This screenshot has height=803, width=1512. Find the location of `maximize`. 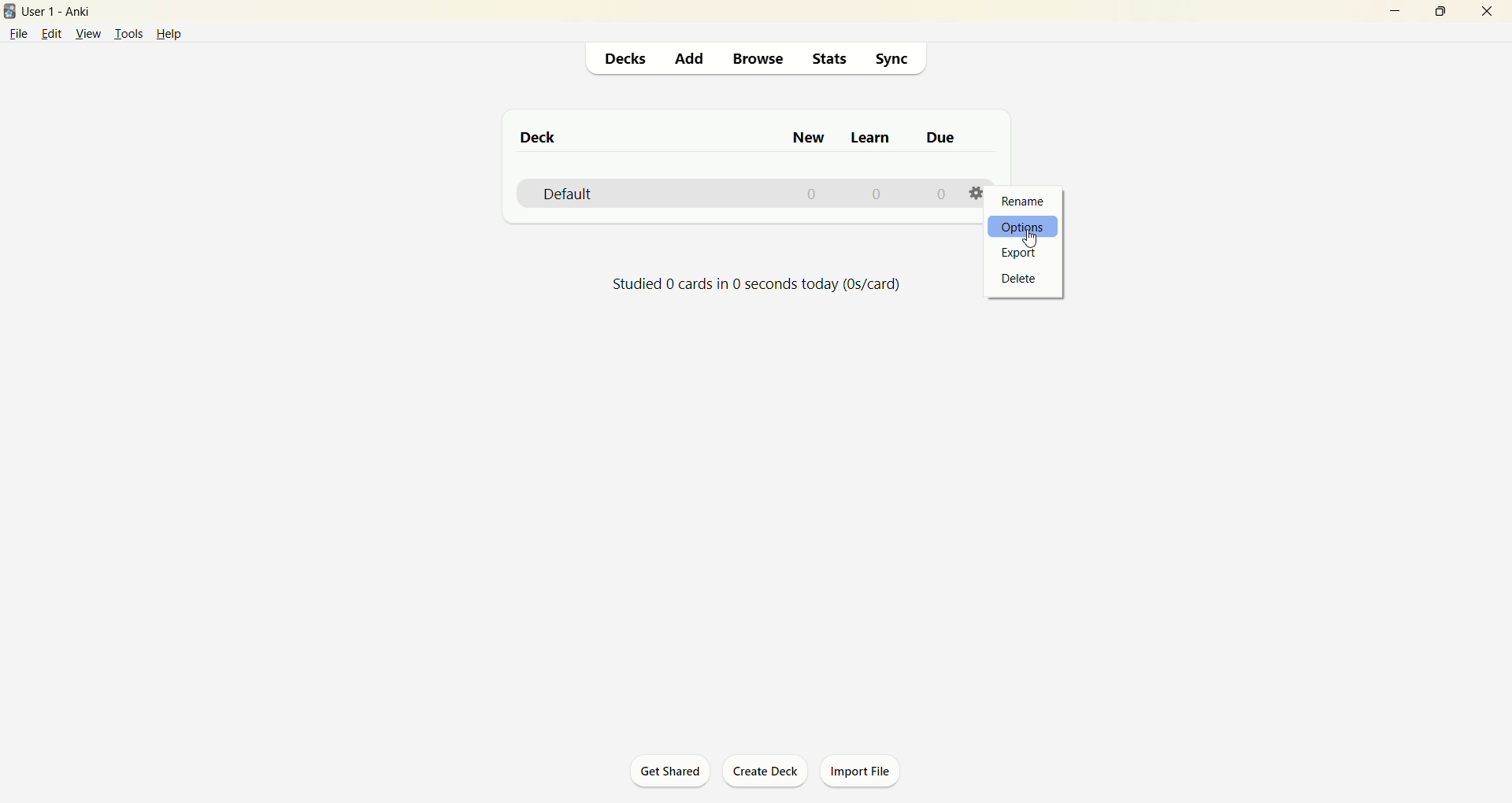

maximize is located at coordinates (1434, 11).